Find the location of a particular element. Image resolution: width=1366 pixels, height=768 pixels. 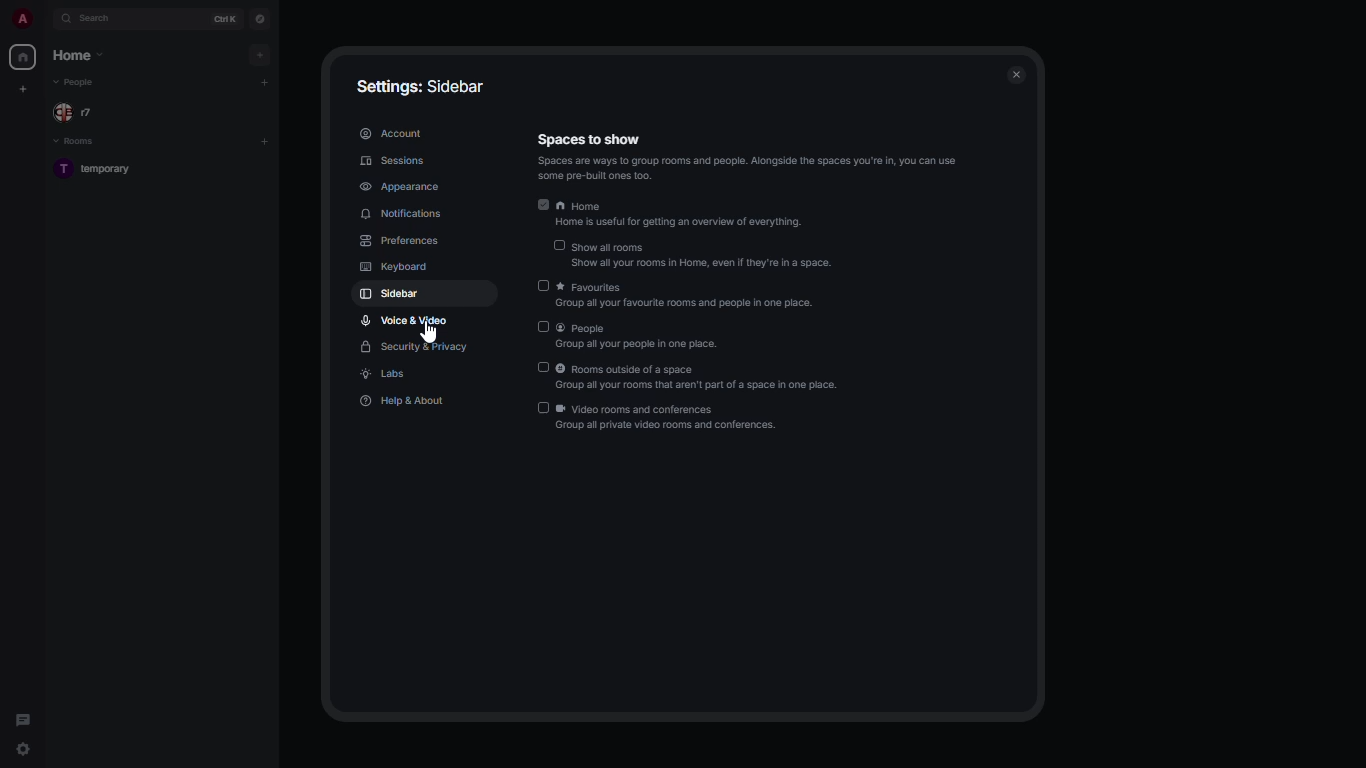

disabled is located at coordinates (542, 327).